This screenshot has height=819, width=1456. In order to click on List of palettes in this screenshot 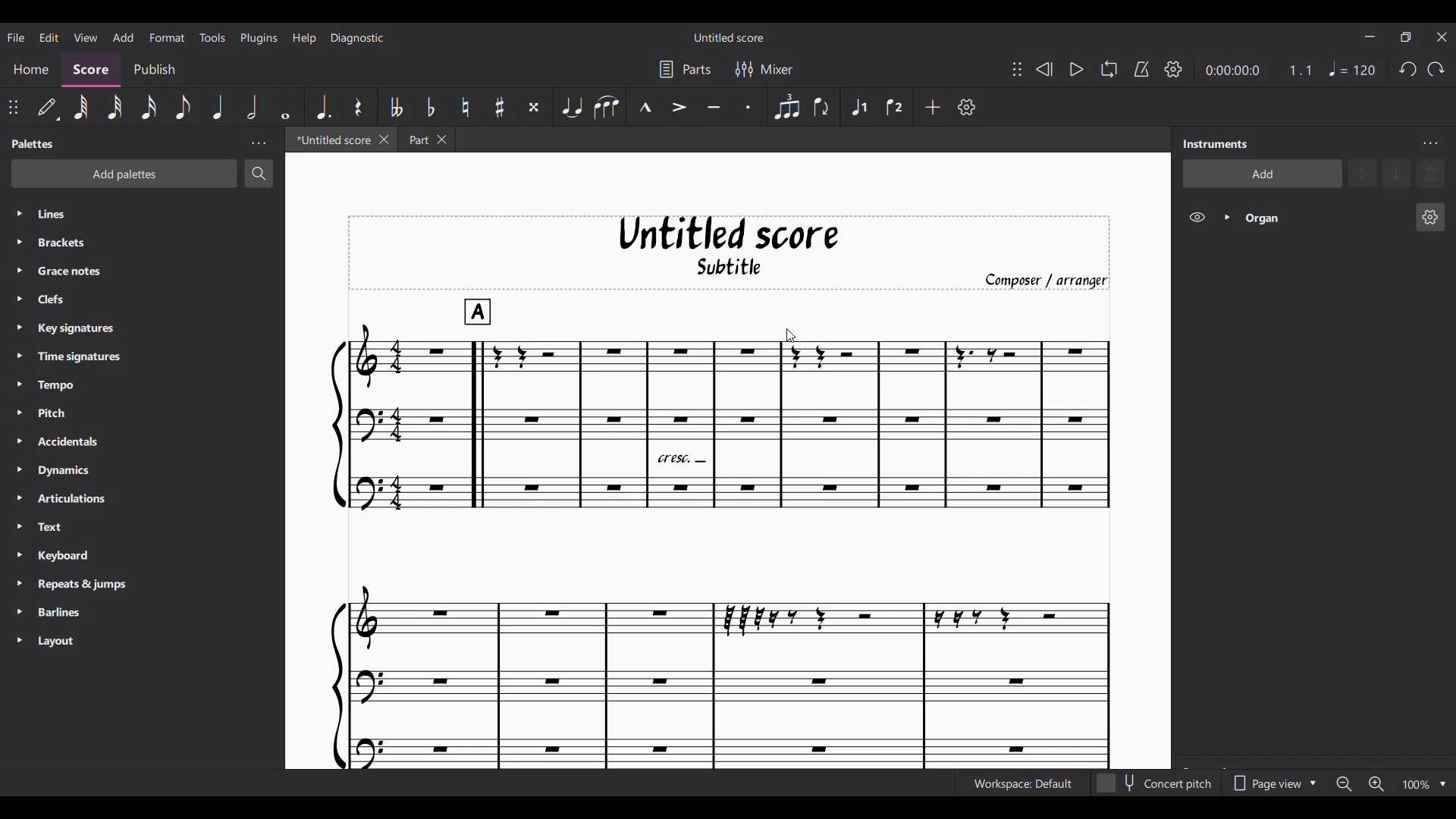, I will do `click(158, 428)`.